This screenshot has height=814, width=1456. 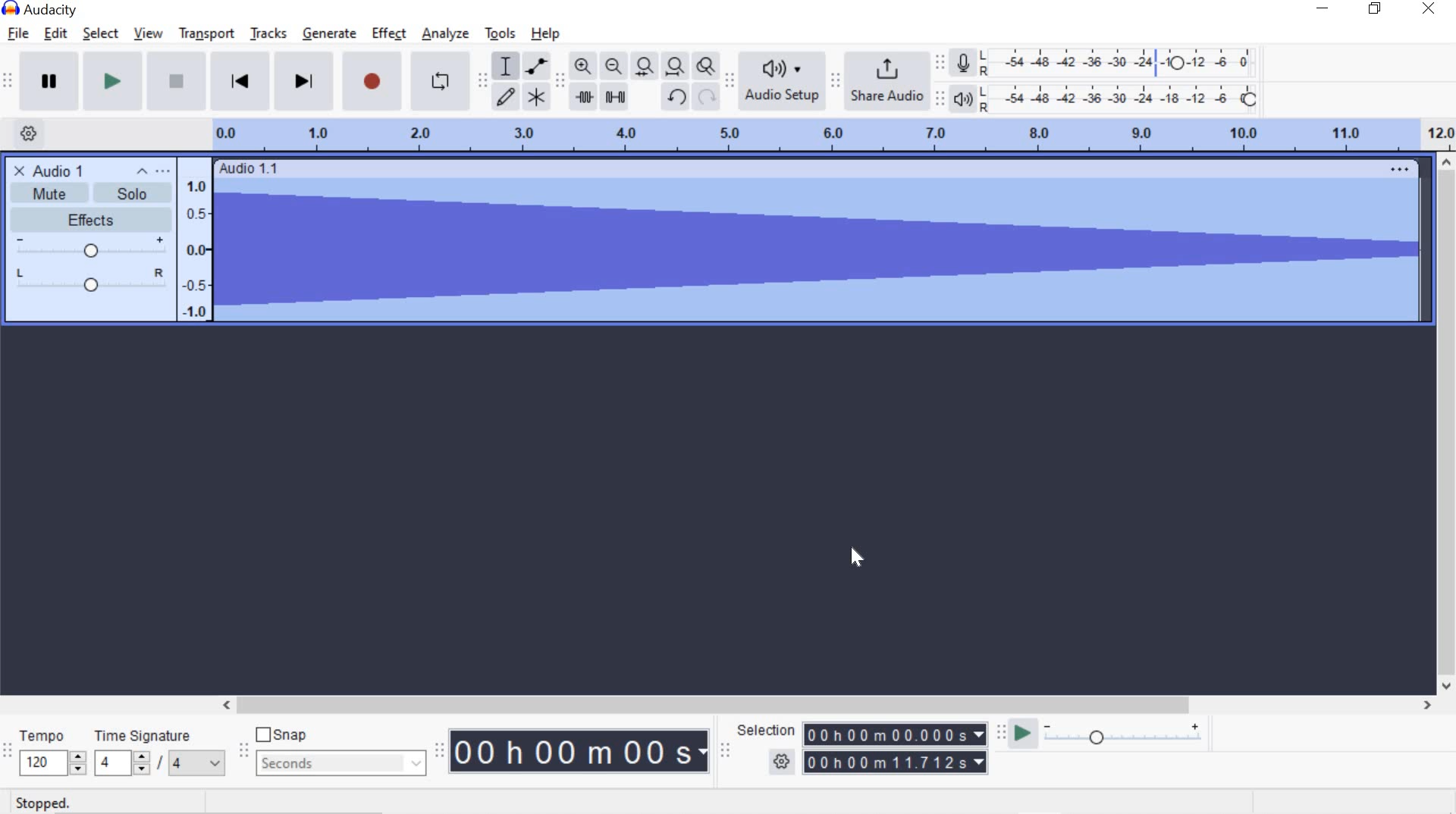 I want to click on file, so click(x=17, y=34).